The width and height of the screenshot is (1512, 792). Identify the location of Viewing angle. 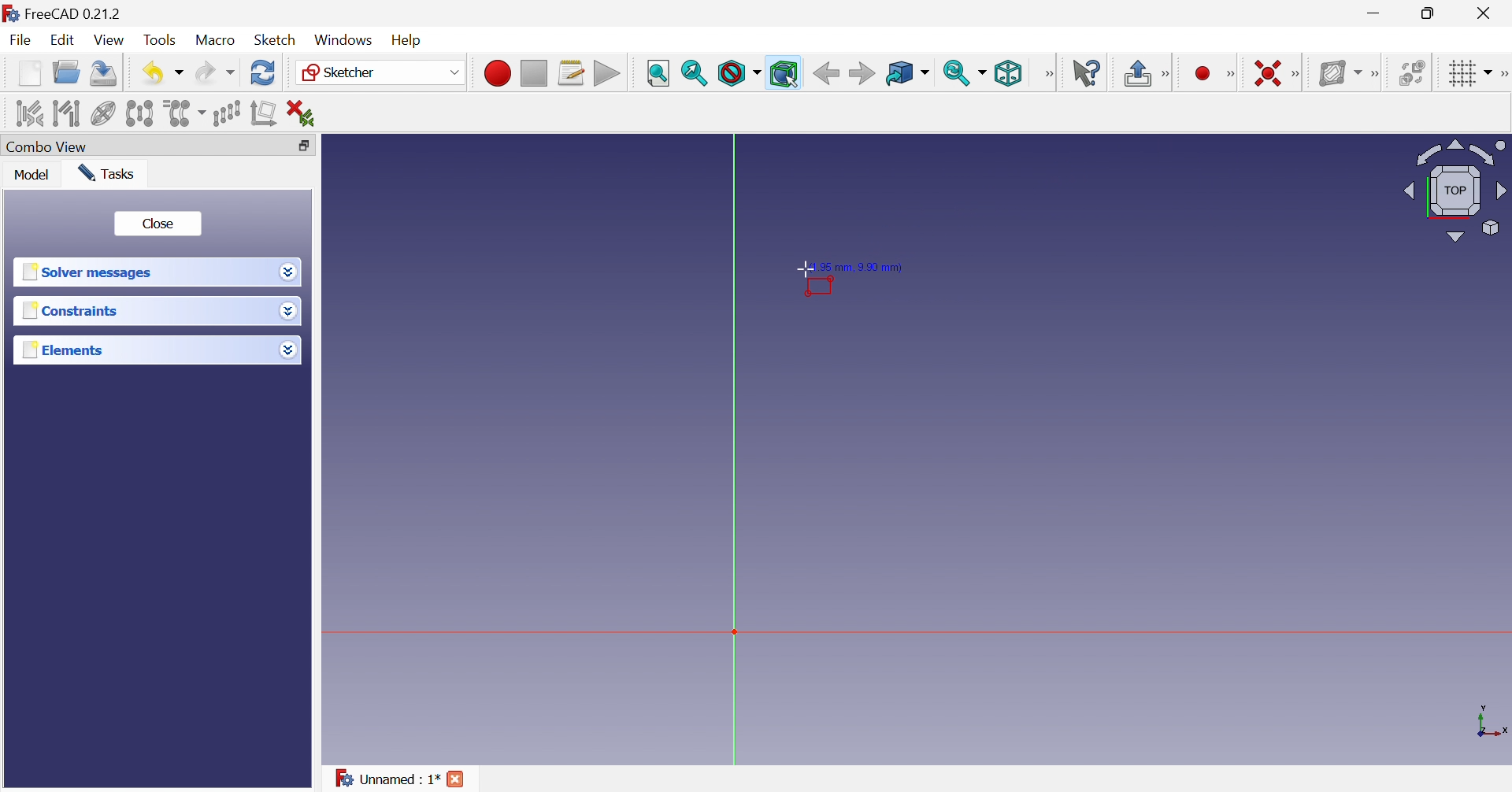
(1455, 192).